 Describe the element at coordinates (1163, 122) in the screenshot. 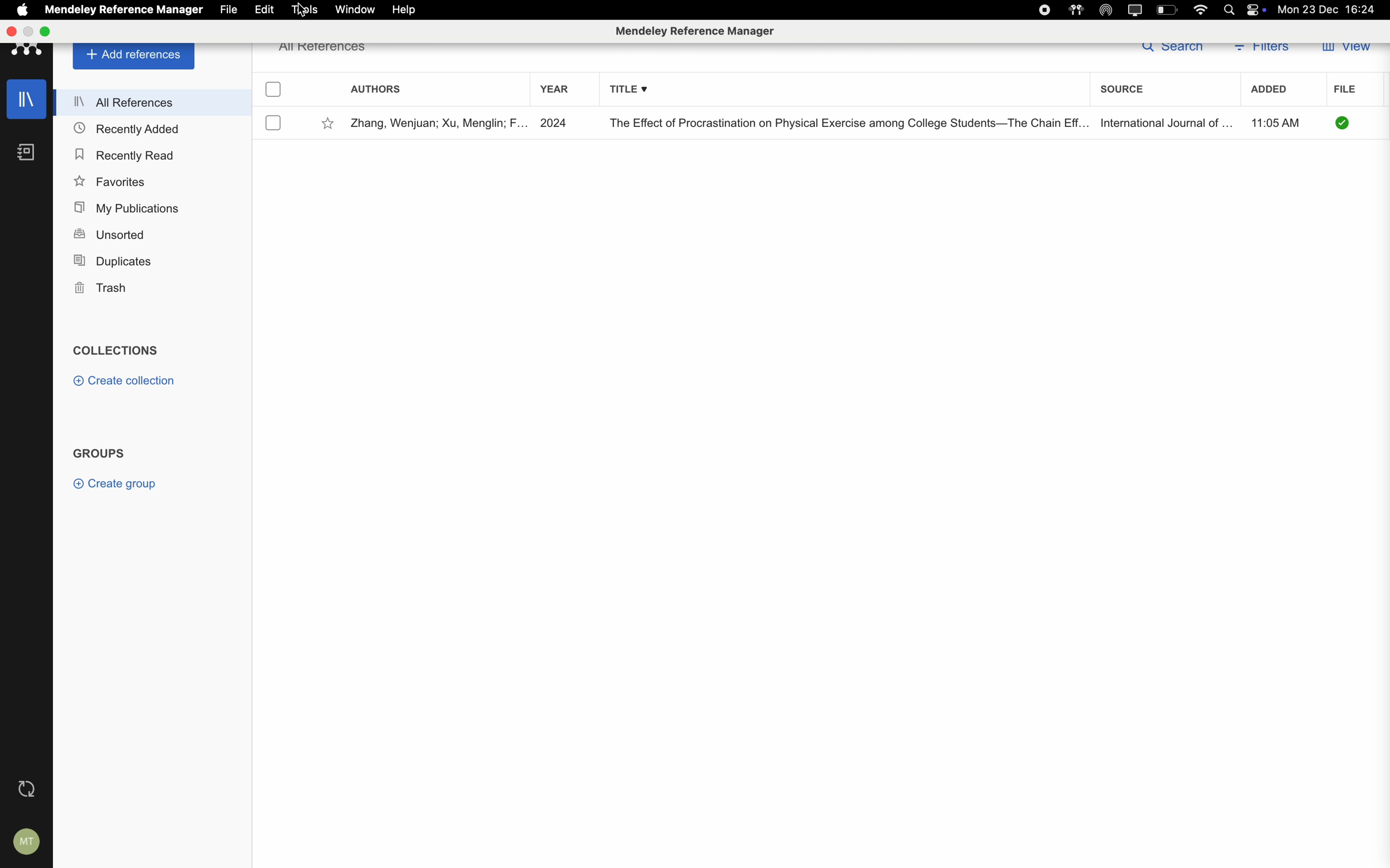

I see `source` at that location.